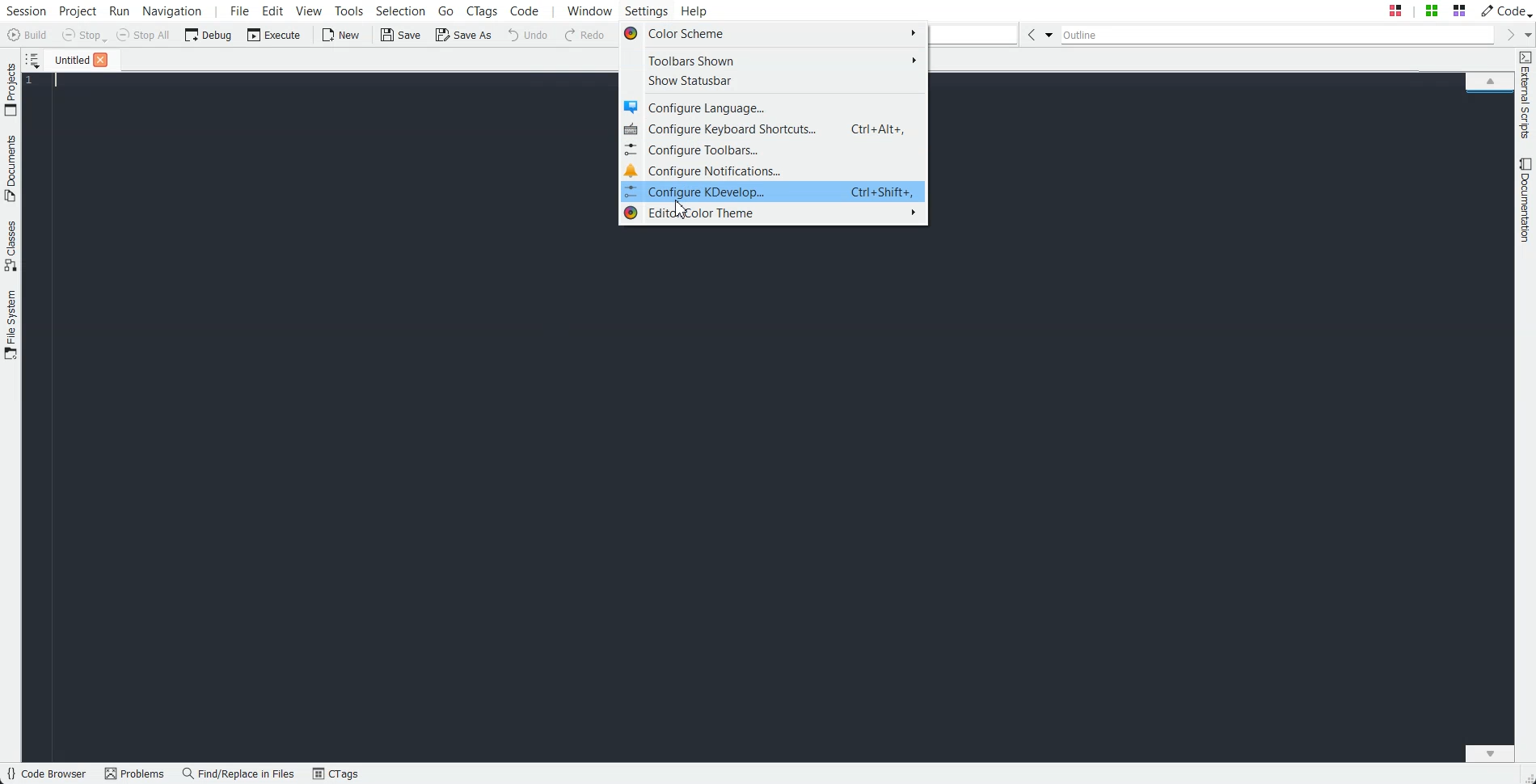  Describe the element at coordinates (773, 105) in the screenshot. I see `Configure Language` at that location.